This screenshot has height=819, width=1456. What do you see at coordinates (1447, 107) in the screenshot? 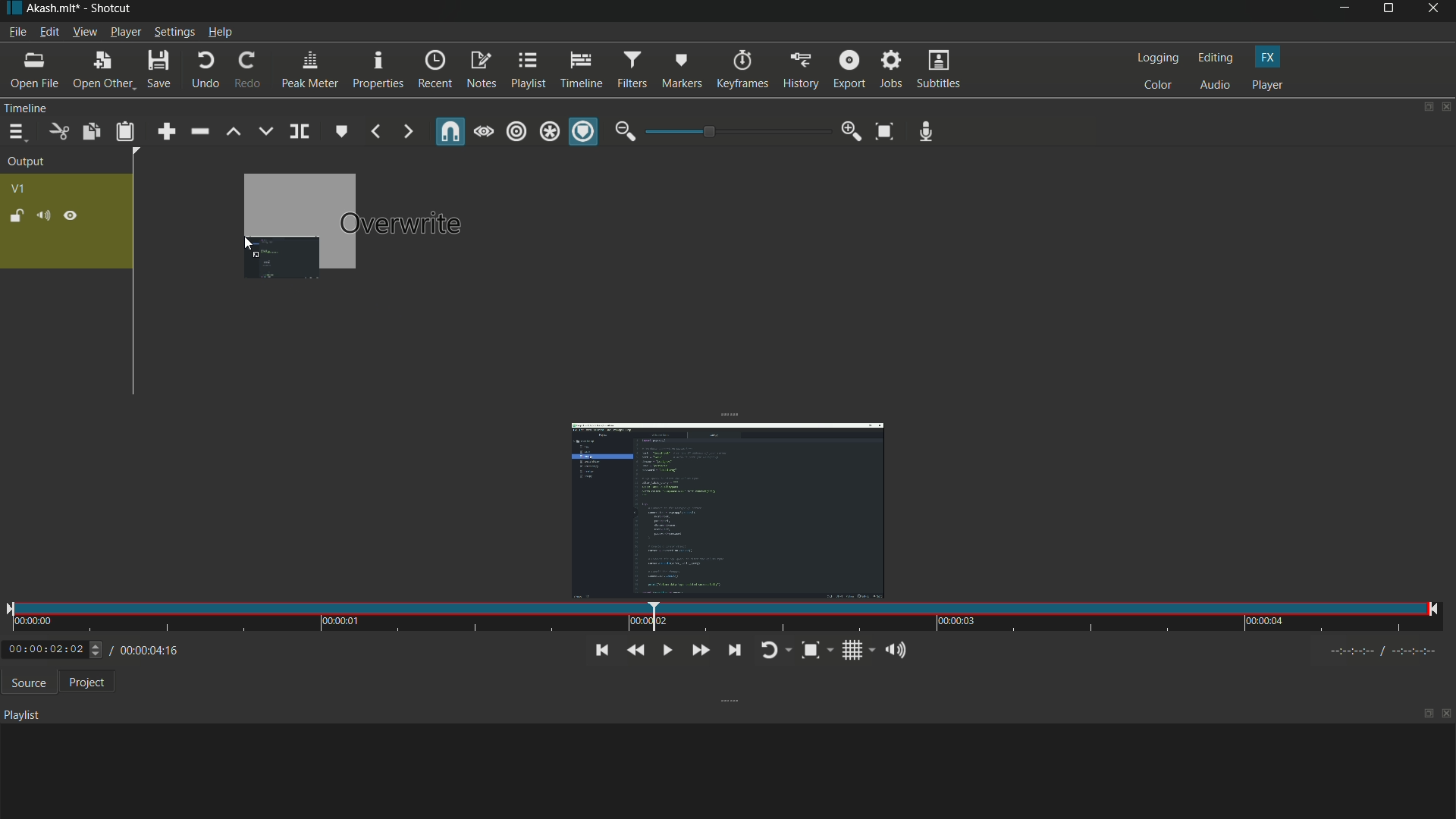
I see `close timeline` at bounding box center [1447, 107].